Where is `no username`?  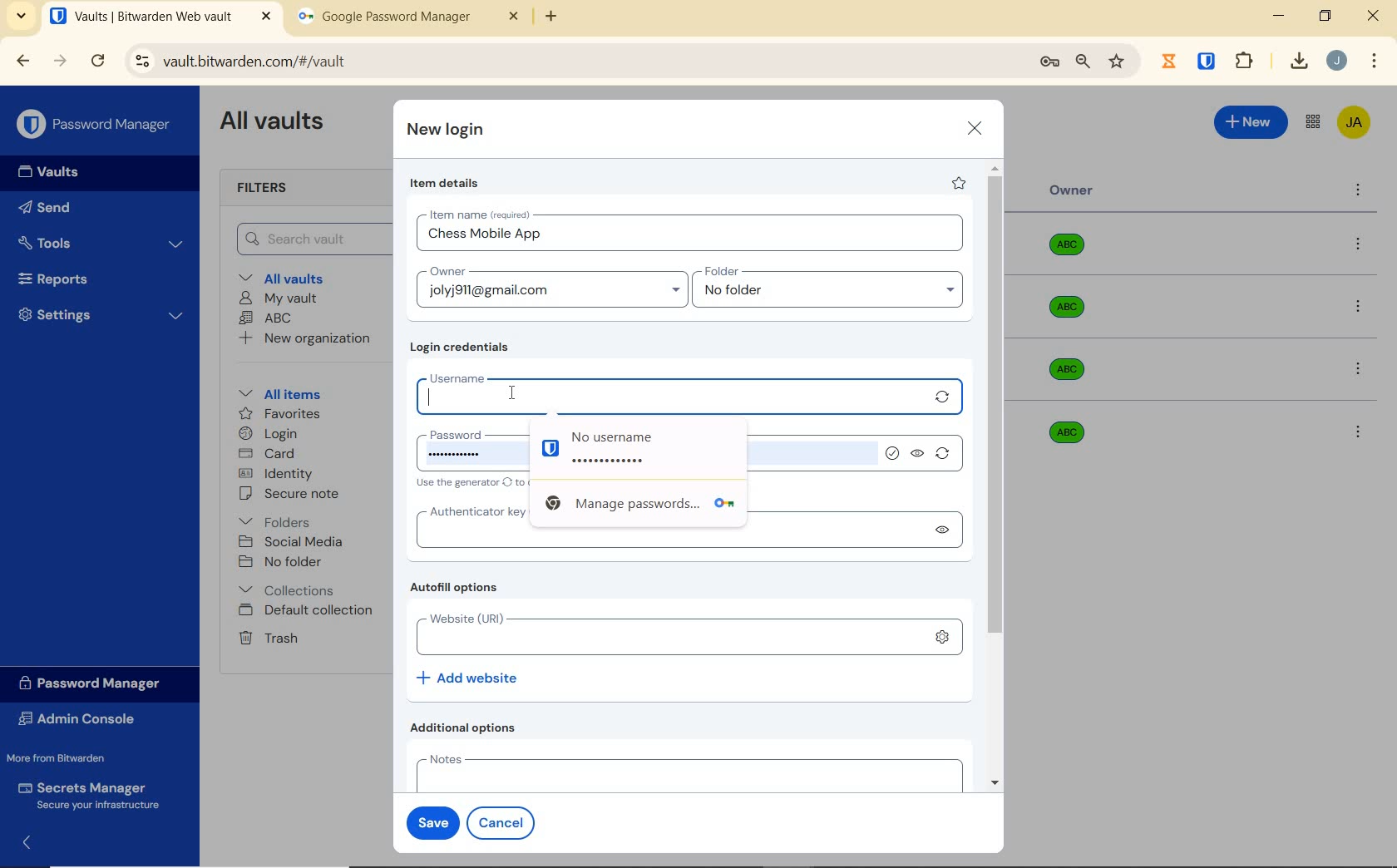
no username is located at coordinates (659, 435).